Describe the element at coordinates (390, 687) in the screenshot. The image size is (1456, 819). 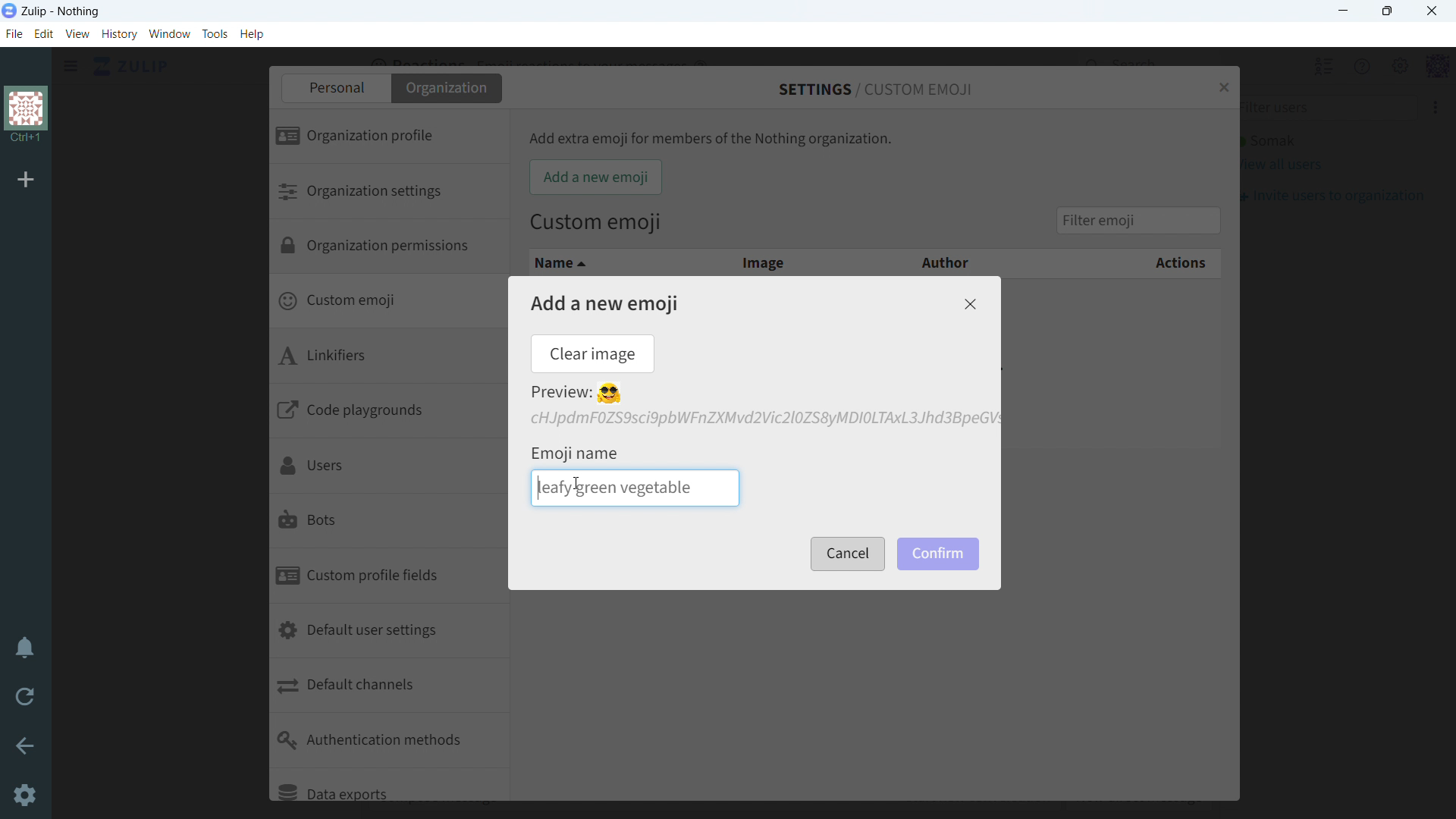
I see `default channels` at that location.